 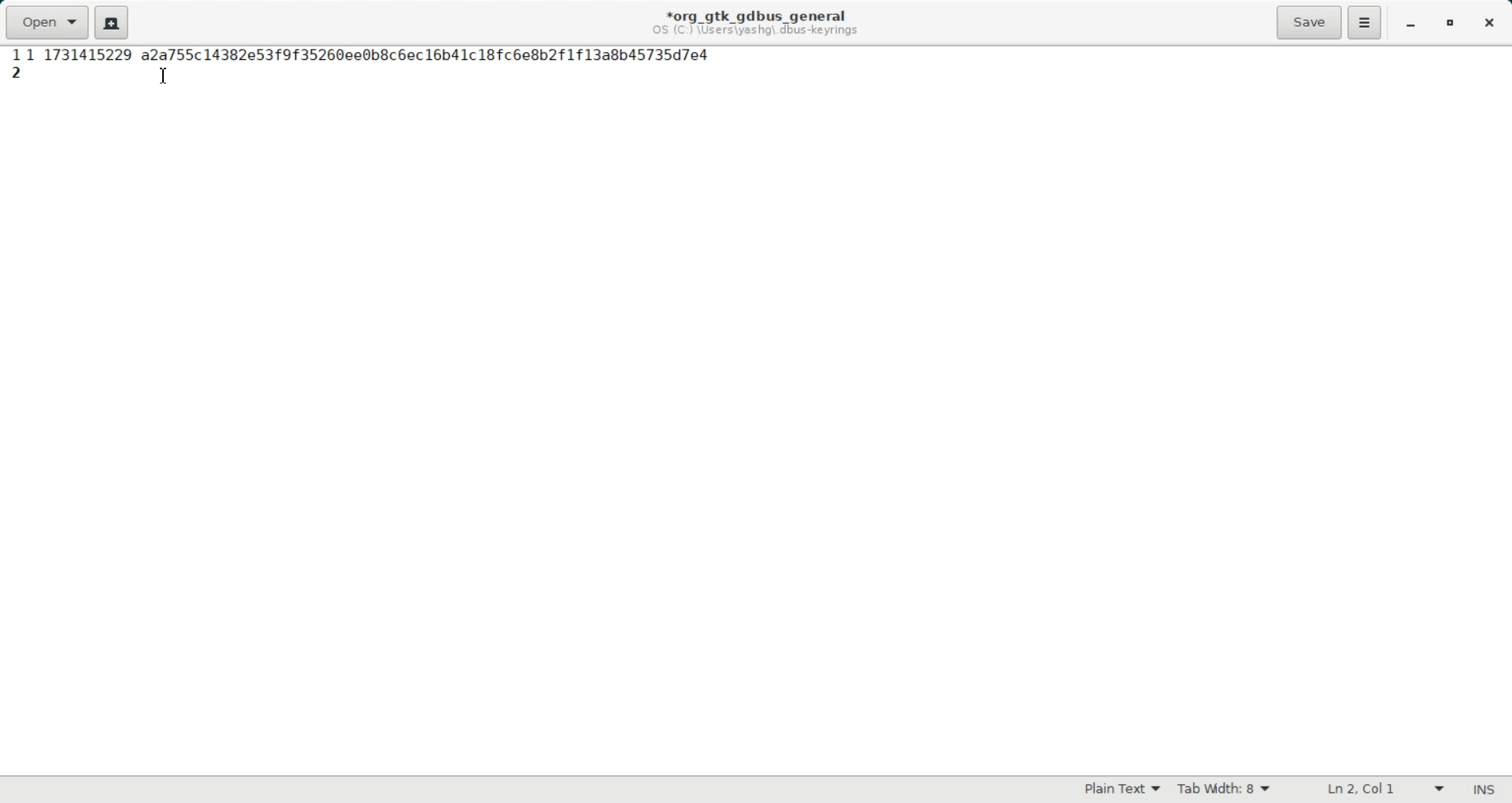 I want to click on Text Cursor, so click(x=163, y=76).